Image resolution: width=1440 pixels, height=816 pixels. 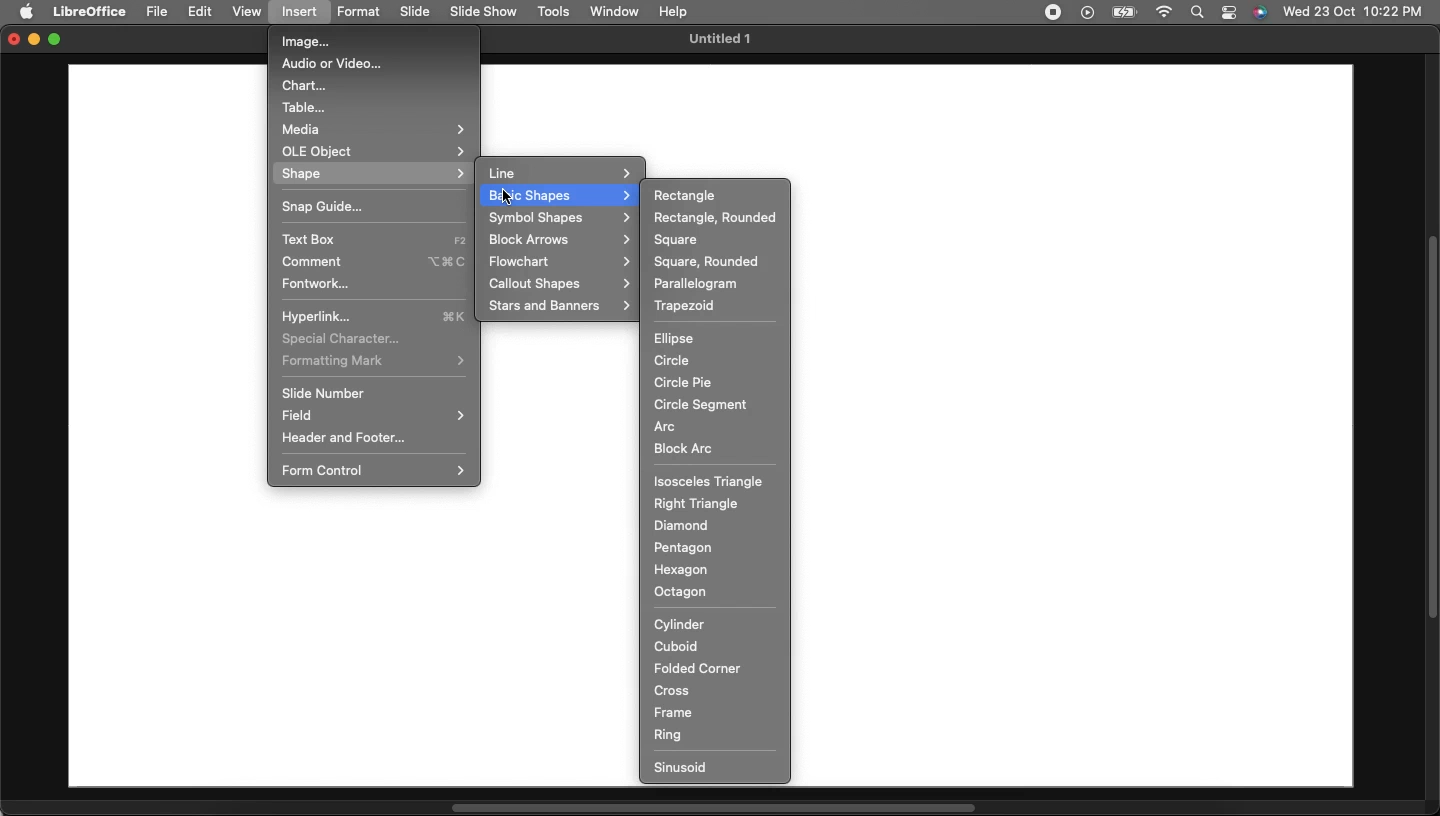 I want to click on Untitled 1, so click(x=717, y=40).